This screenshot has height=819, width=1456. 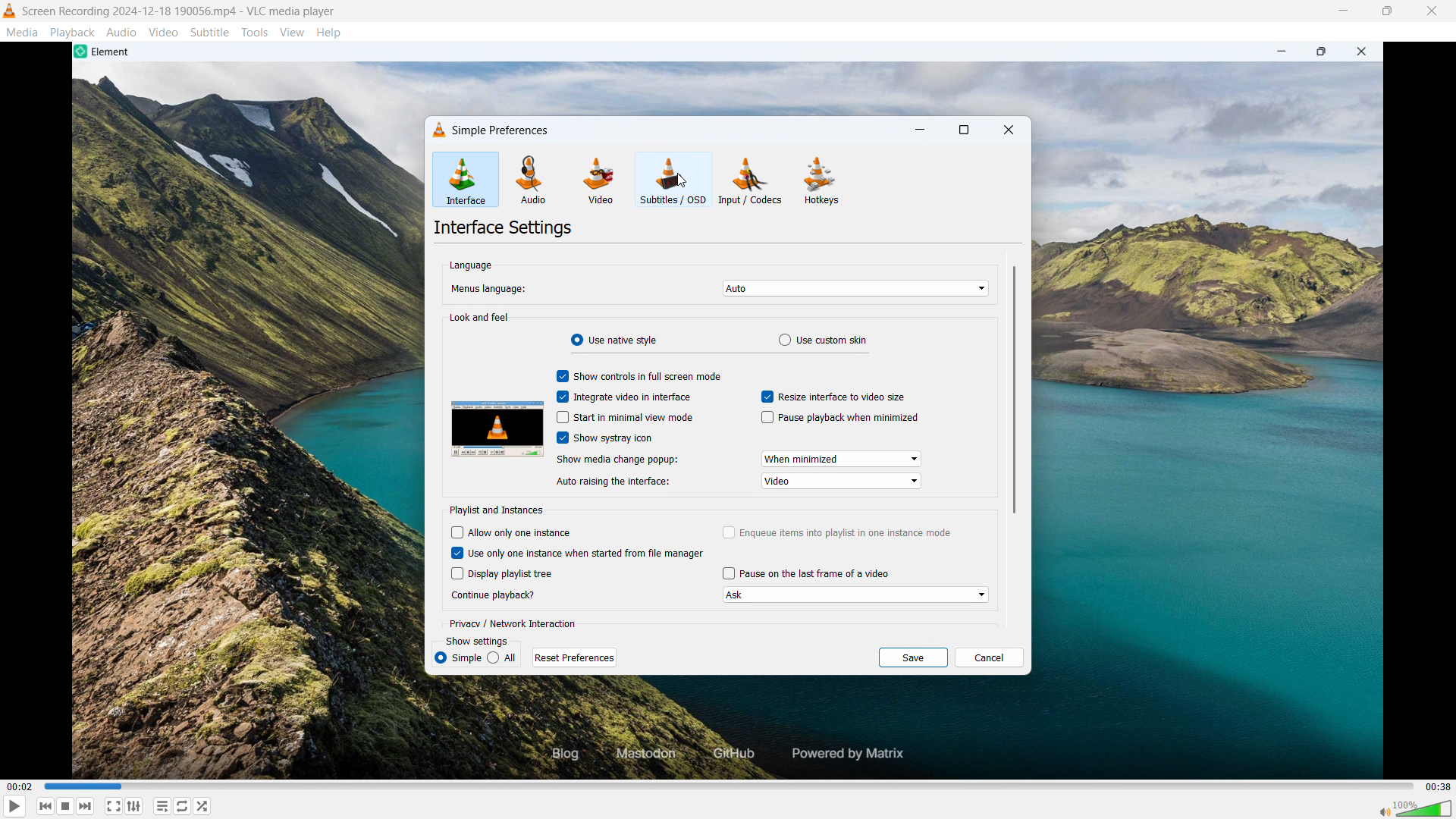 I want to click on toggle playlist, so click(x=134, y=806).